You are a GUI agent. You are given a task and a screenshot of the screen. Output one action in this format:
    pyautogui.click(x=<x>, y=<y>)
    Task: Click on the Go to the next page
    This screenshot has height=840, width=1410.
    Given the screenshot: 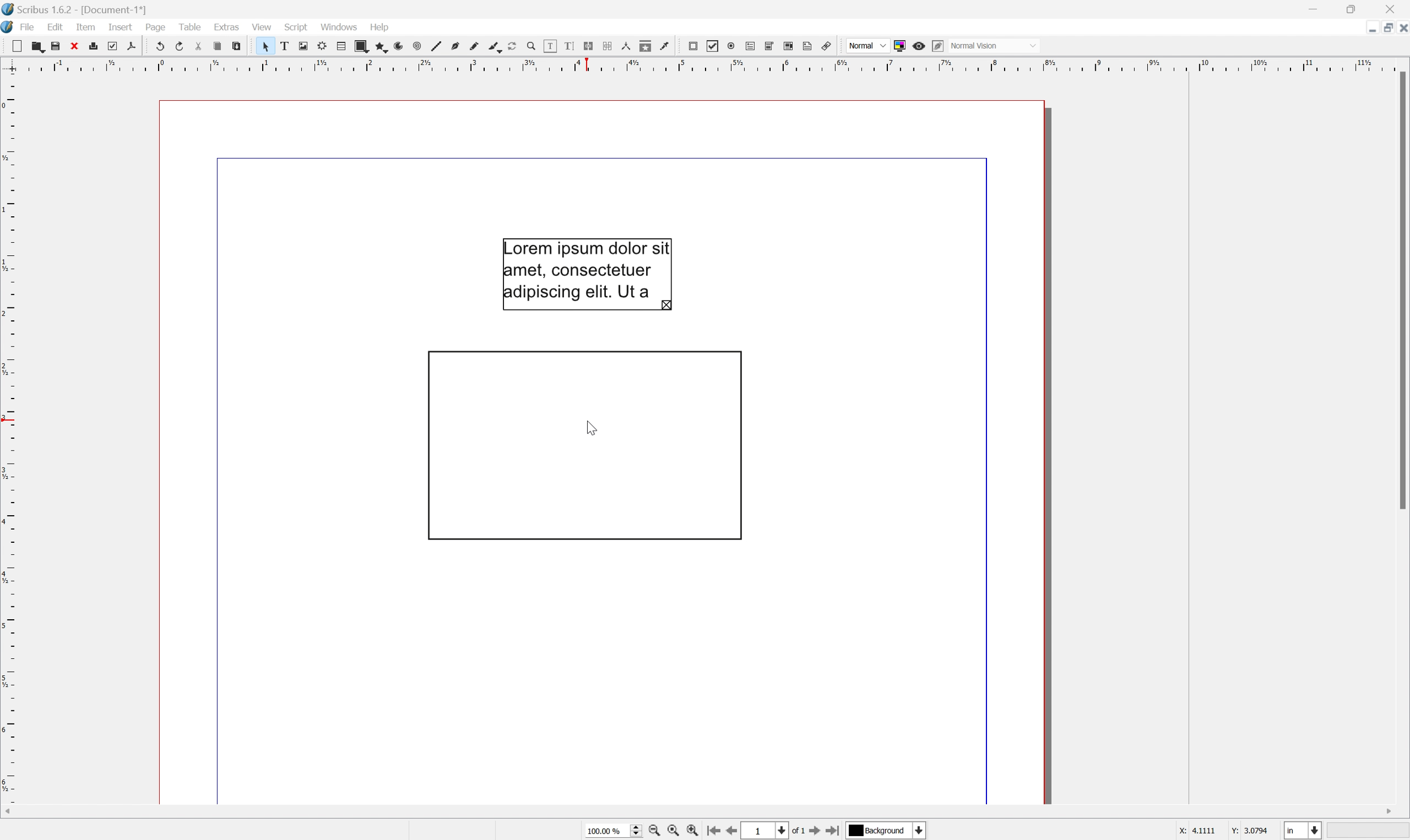 What is the action you would take?
    pyautogui.click(x=815, y=830)
    